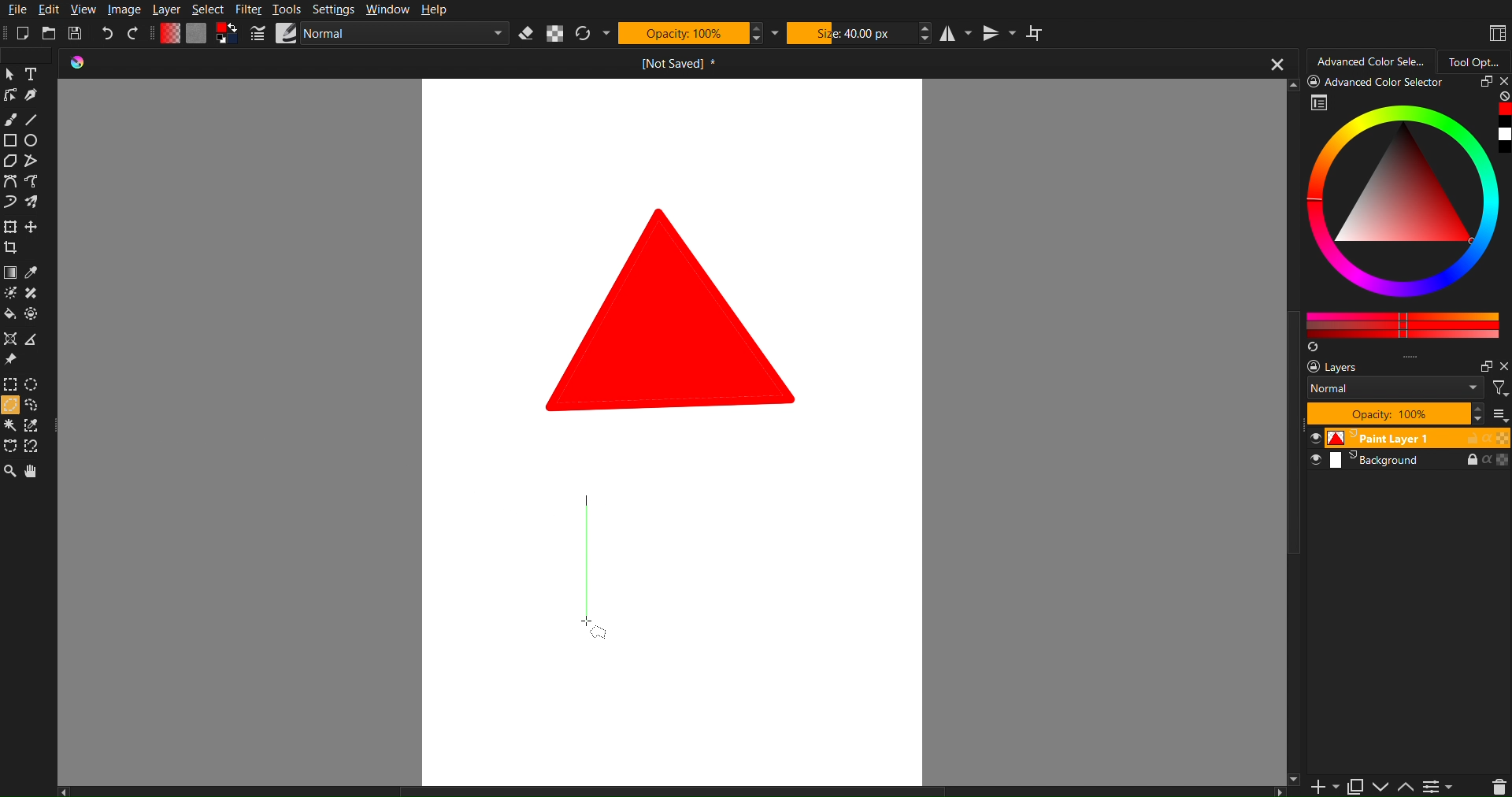 The width and height of the screenshot is (1512, 797). Describe the element at coordinates (13, 119) in the screenshot. I see `Brush` at that location.